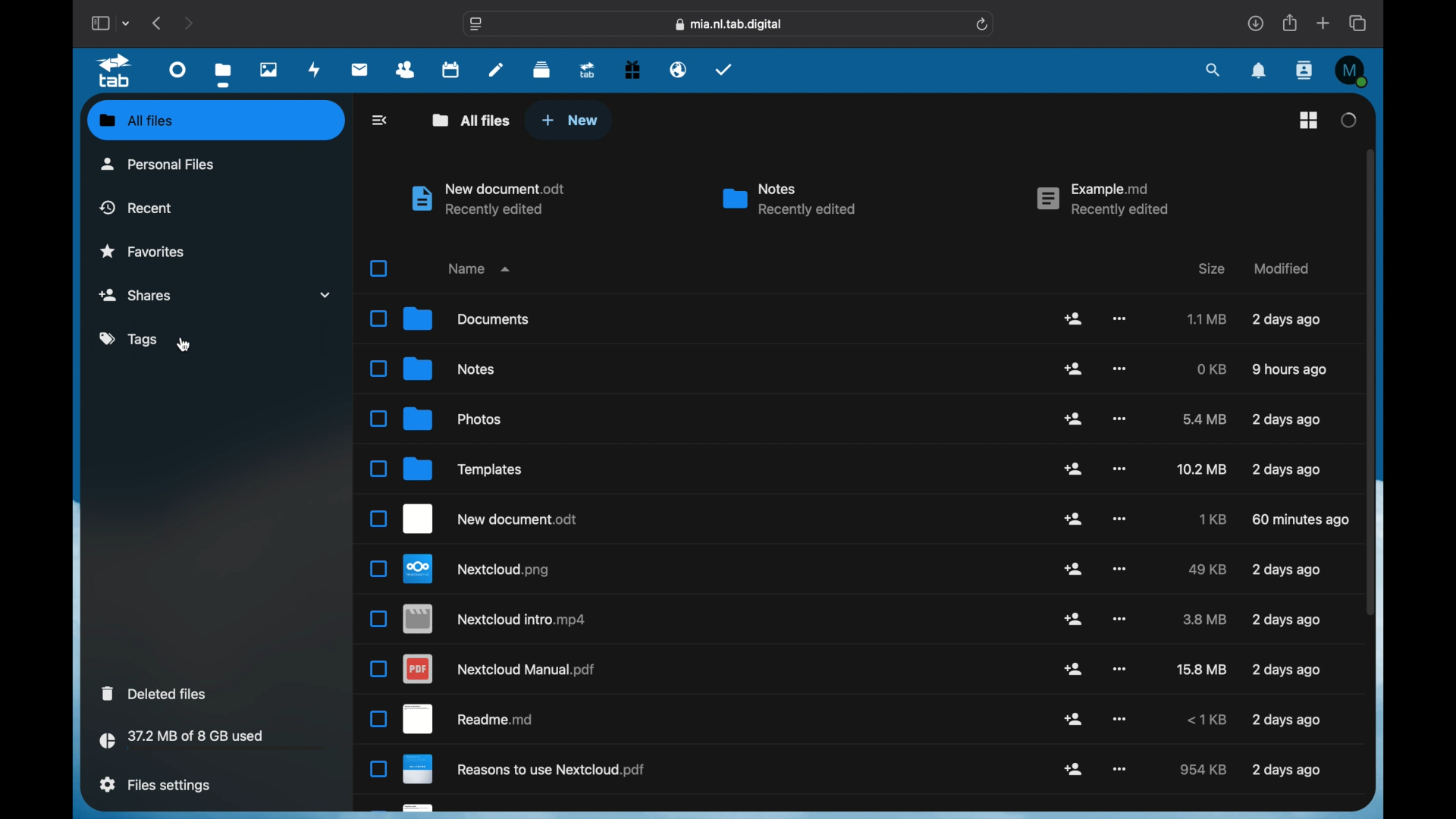 The image size is (1456, 819). What do you see at coordinates (1286, 570) in the screenshot?
I see `modified` at bounding box center [1286, 570].